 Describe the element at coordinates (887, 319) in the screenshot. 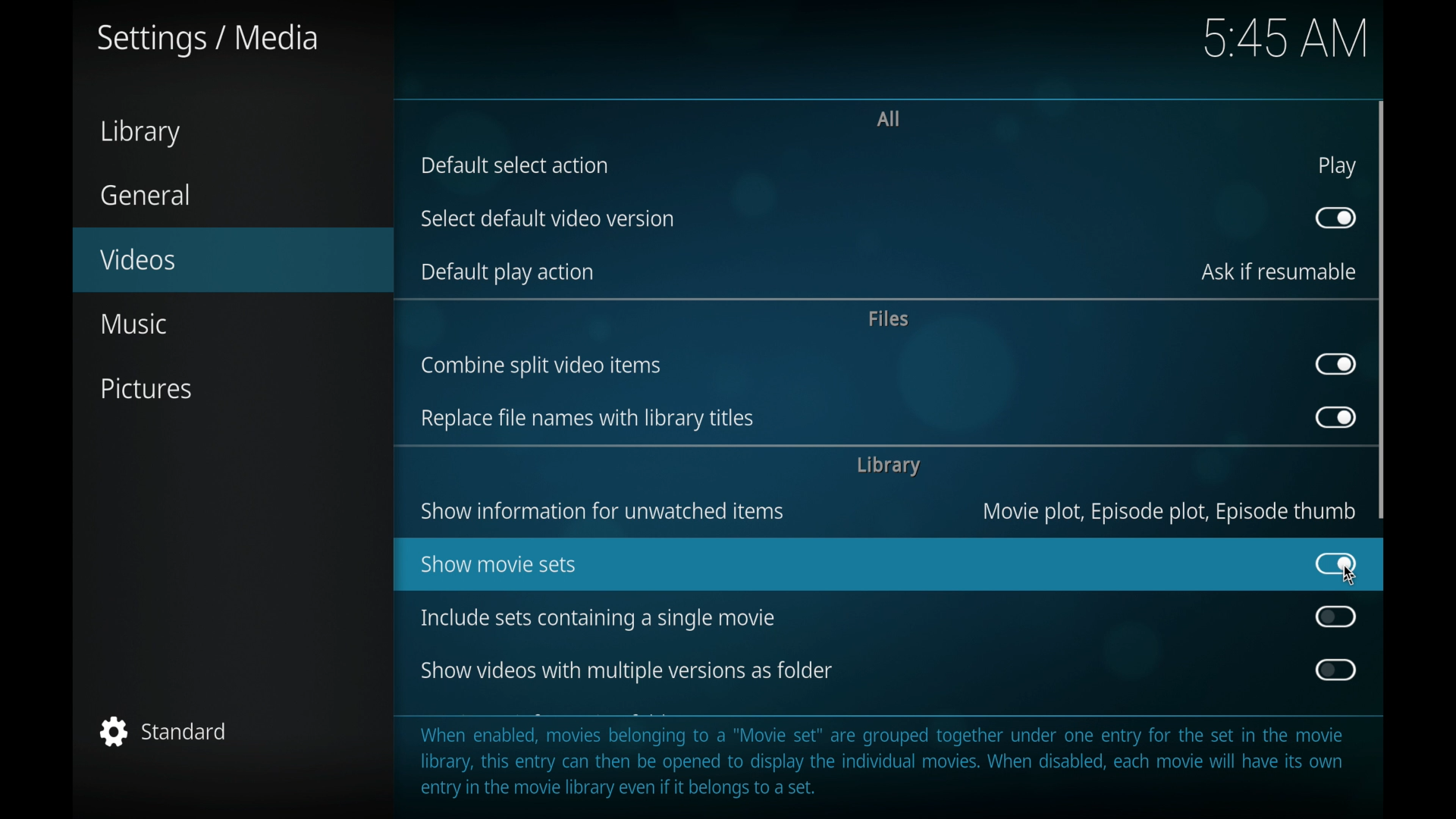

I see `files` at that location.